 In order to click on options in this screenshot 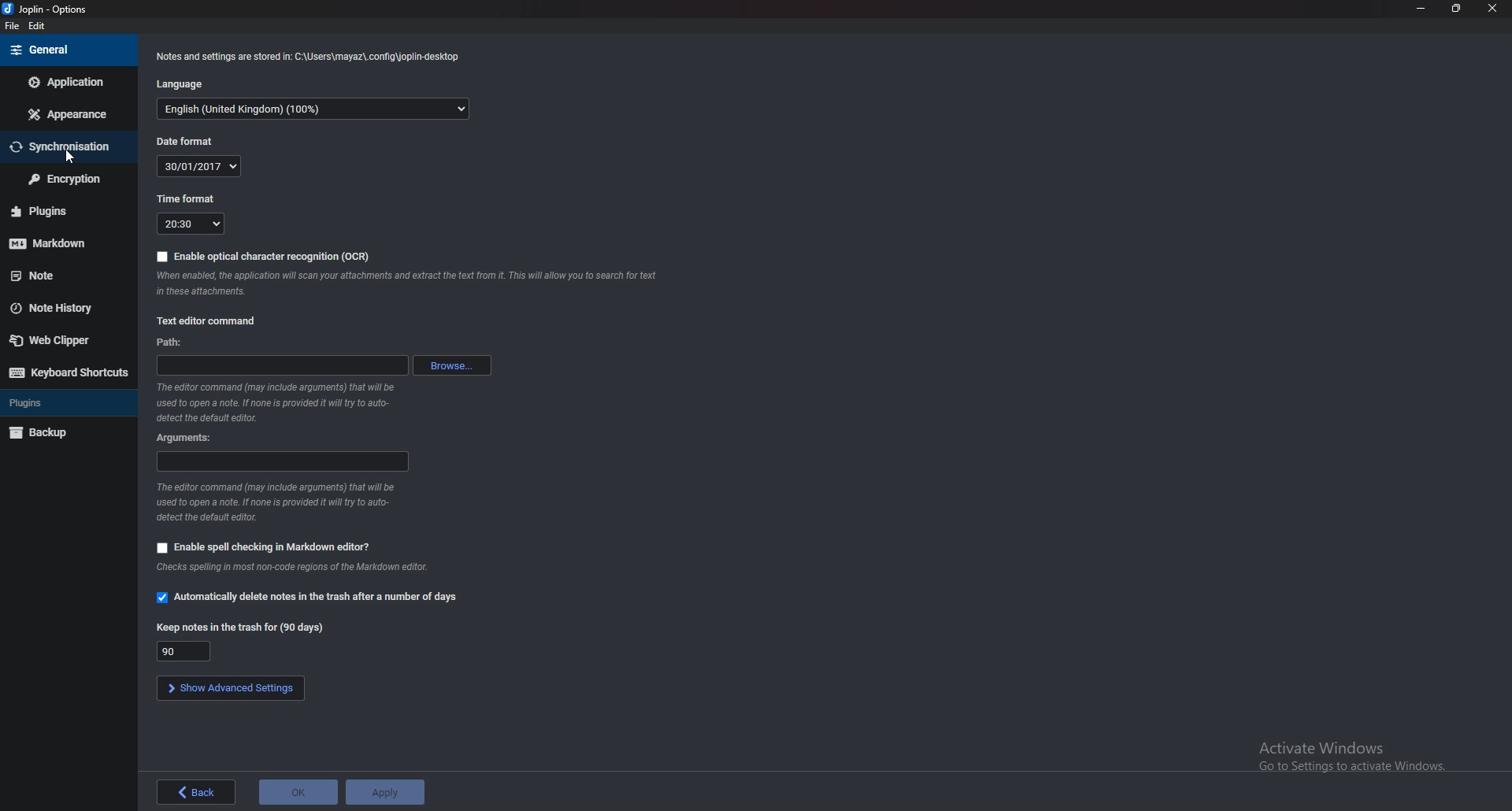, I will do `click(54, 8)`.